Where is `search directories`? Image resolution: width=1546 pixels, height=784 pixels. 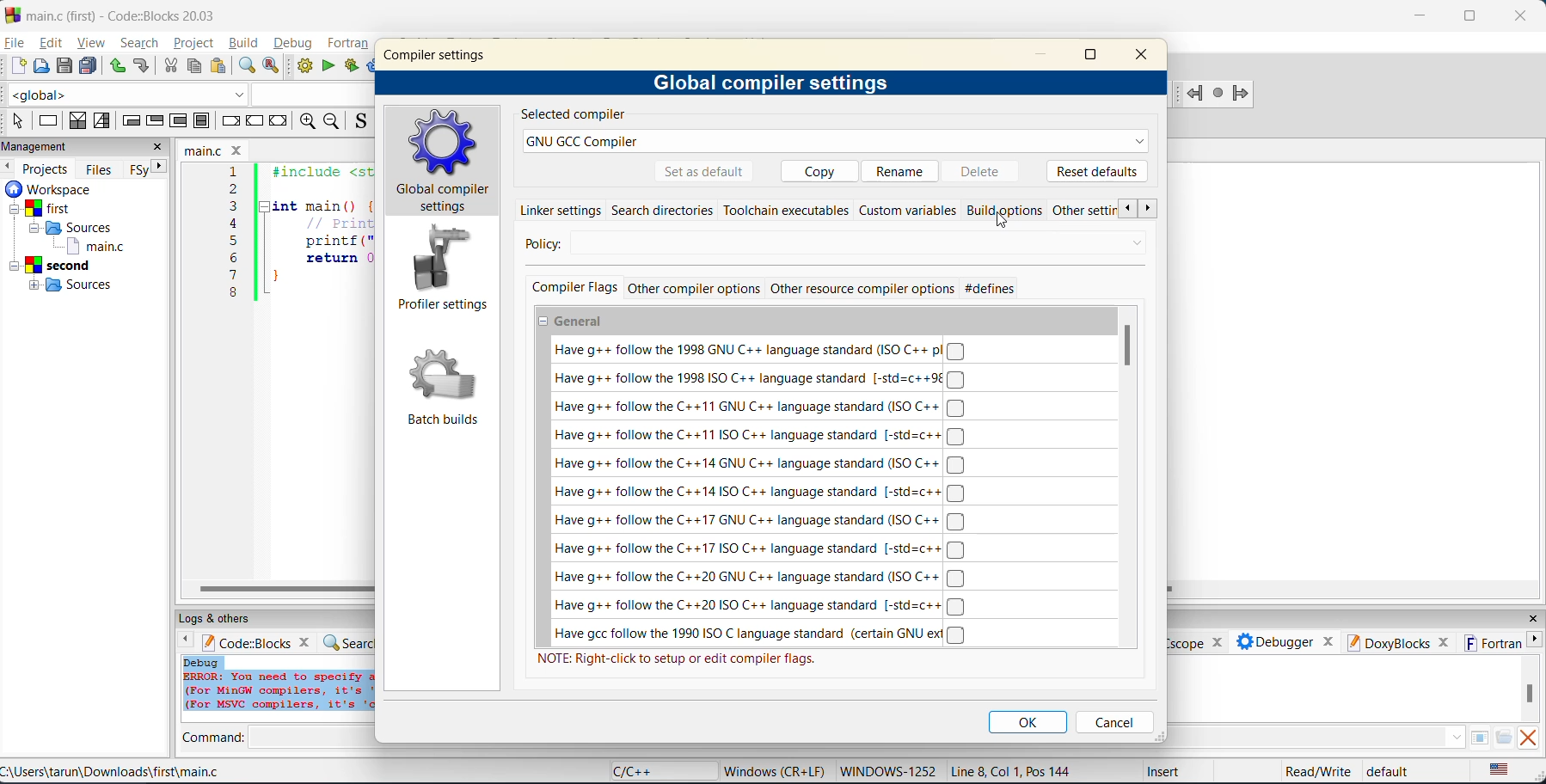
search directories is located at coordinates (664, 211).